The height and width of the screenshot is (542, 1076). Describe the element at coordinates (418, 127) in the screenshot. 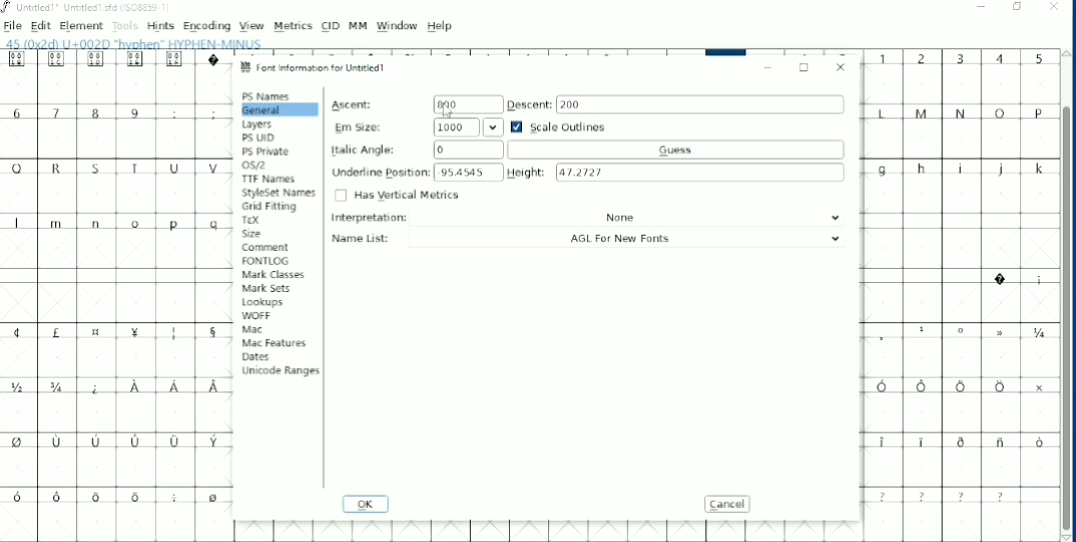

I see `Em Size` at that location.